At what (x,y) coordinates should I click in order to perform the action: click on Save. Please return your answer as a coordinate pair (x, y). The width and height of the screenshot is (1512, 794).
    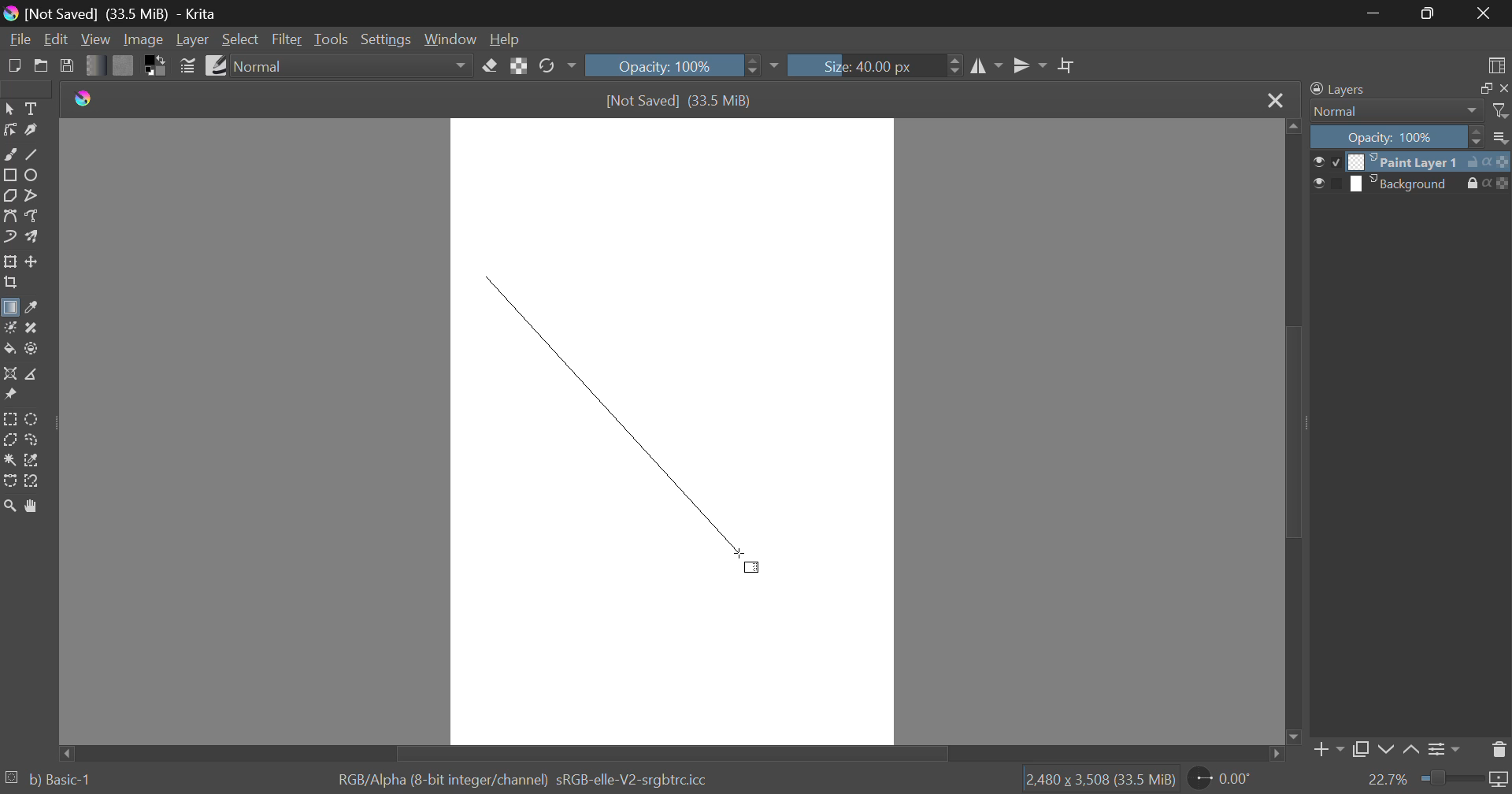
    Looking at the image, I should click on (68, 65).